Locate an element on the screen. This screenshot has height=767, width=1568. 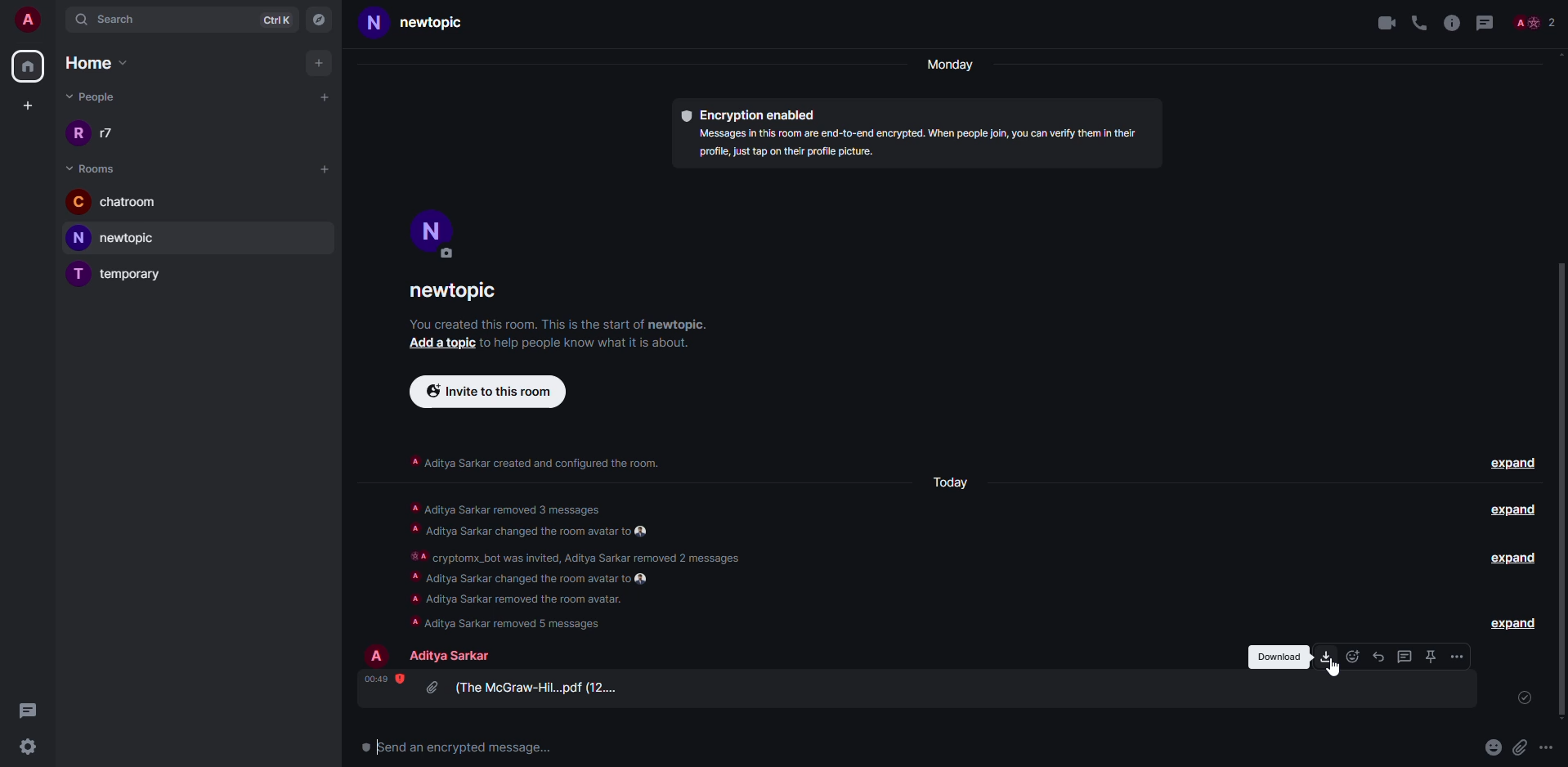
home is located at coordinates (29, 66).